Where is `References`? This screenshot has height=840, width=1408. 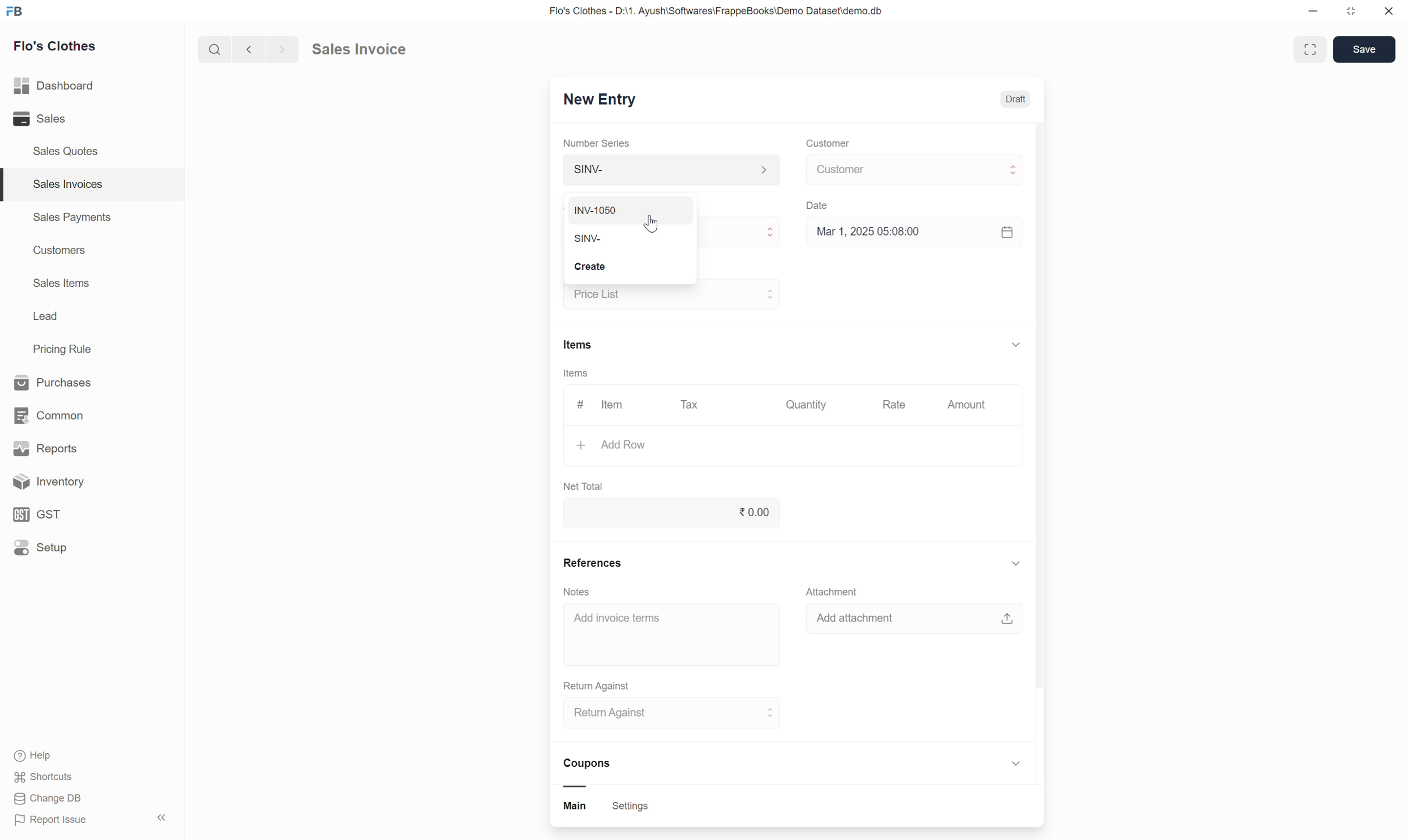
References is located at coordinates (593, 560).